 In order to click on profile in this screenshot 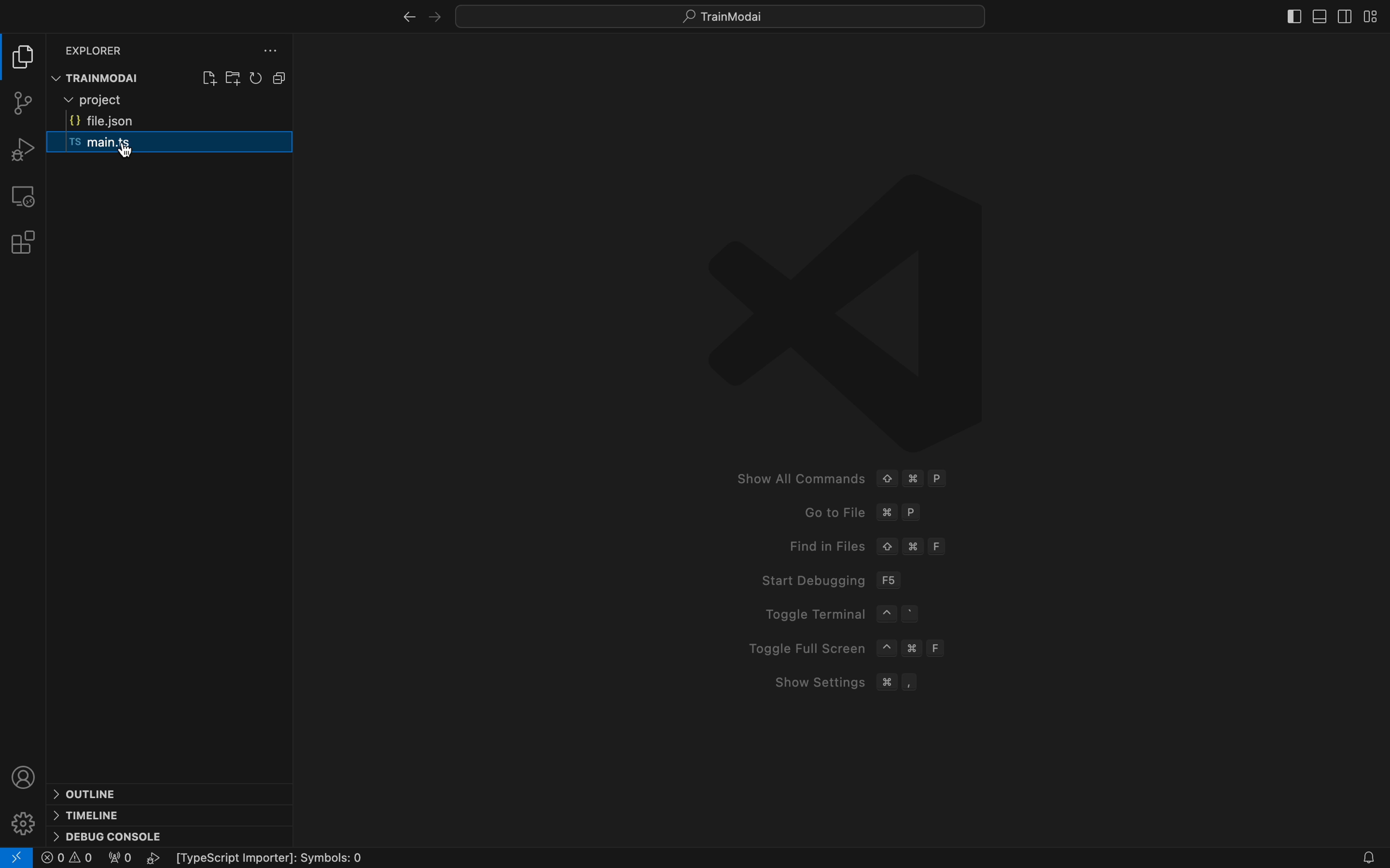, I will do `click(25, 779)`.